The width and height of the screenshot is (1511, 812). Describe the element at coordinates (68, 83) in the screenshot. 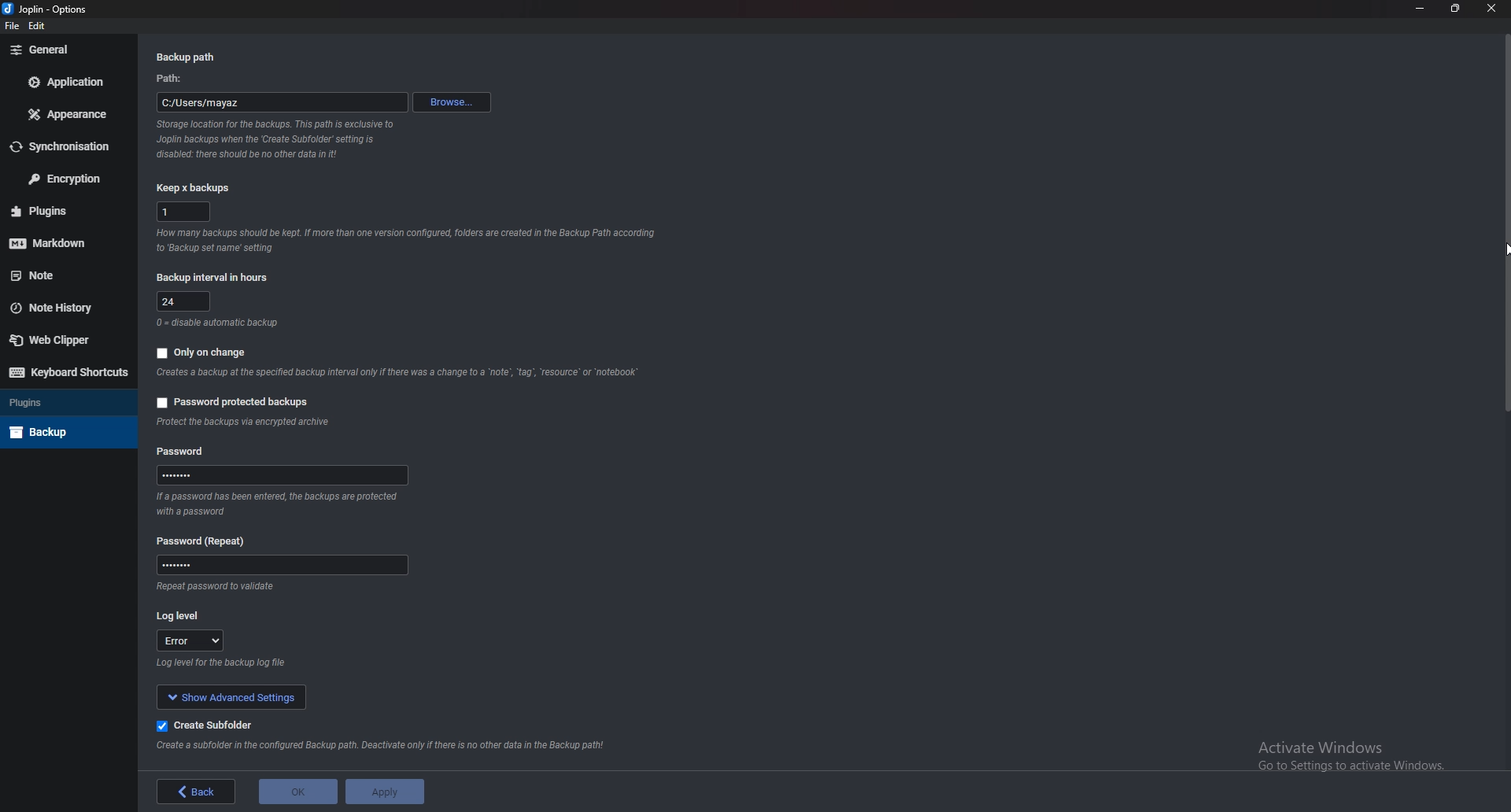

I see `Application` at that location.